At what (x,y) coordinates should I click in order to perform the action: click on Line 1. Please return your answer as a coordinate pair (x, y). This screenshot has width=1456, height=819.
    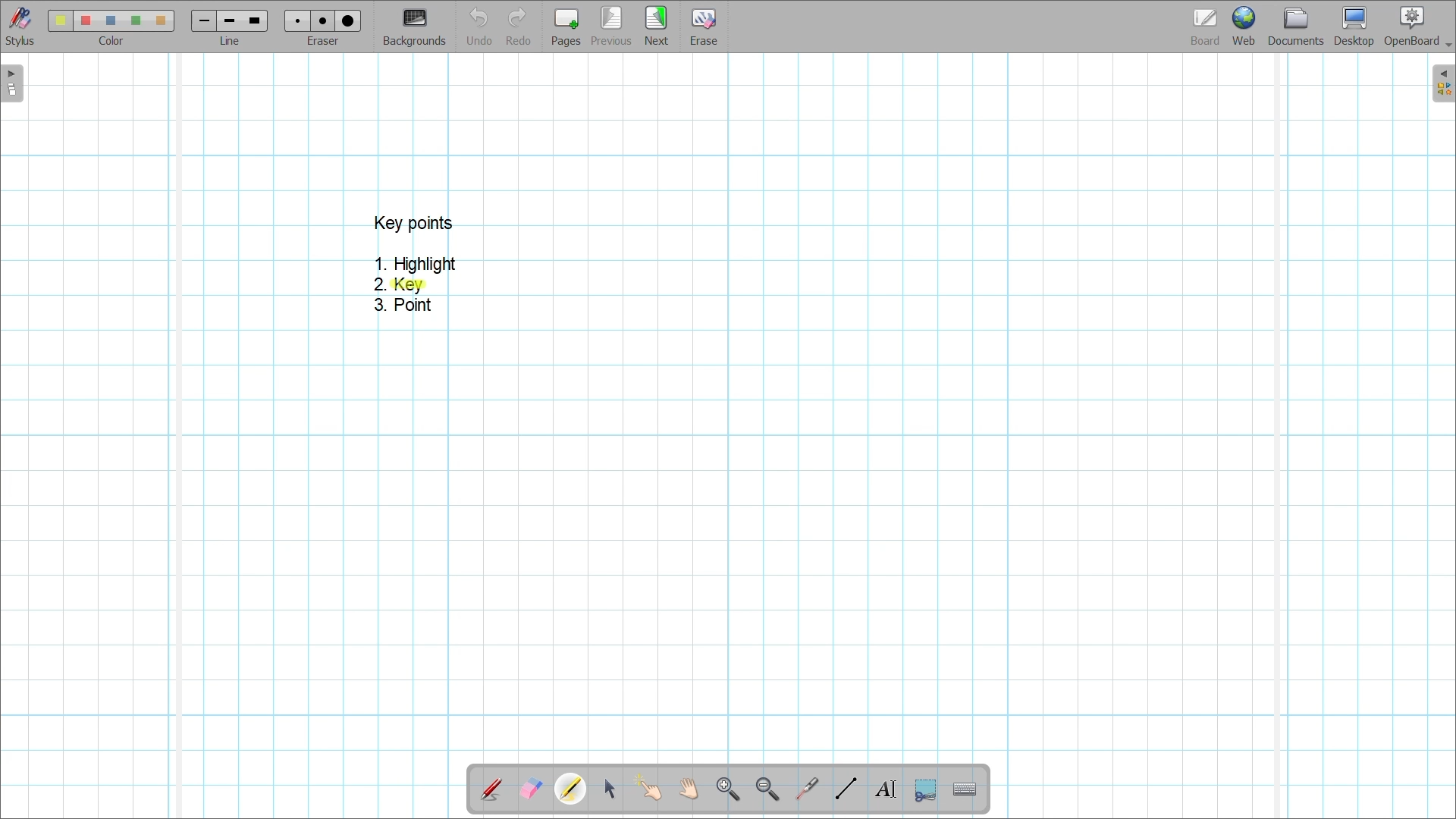
    Looking at the image, I should click on (202, 20).